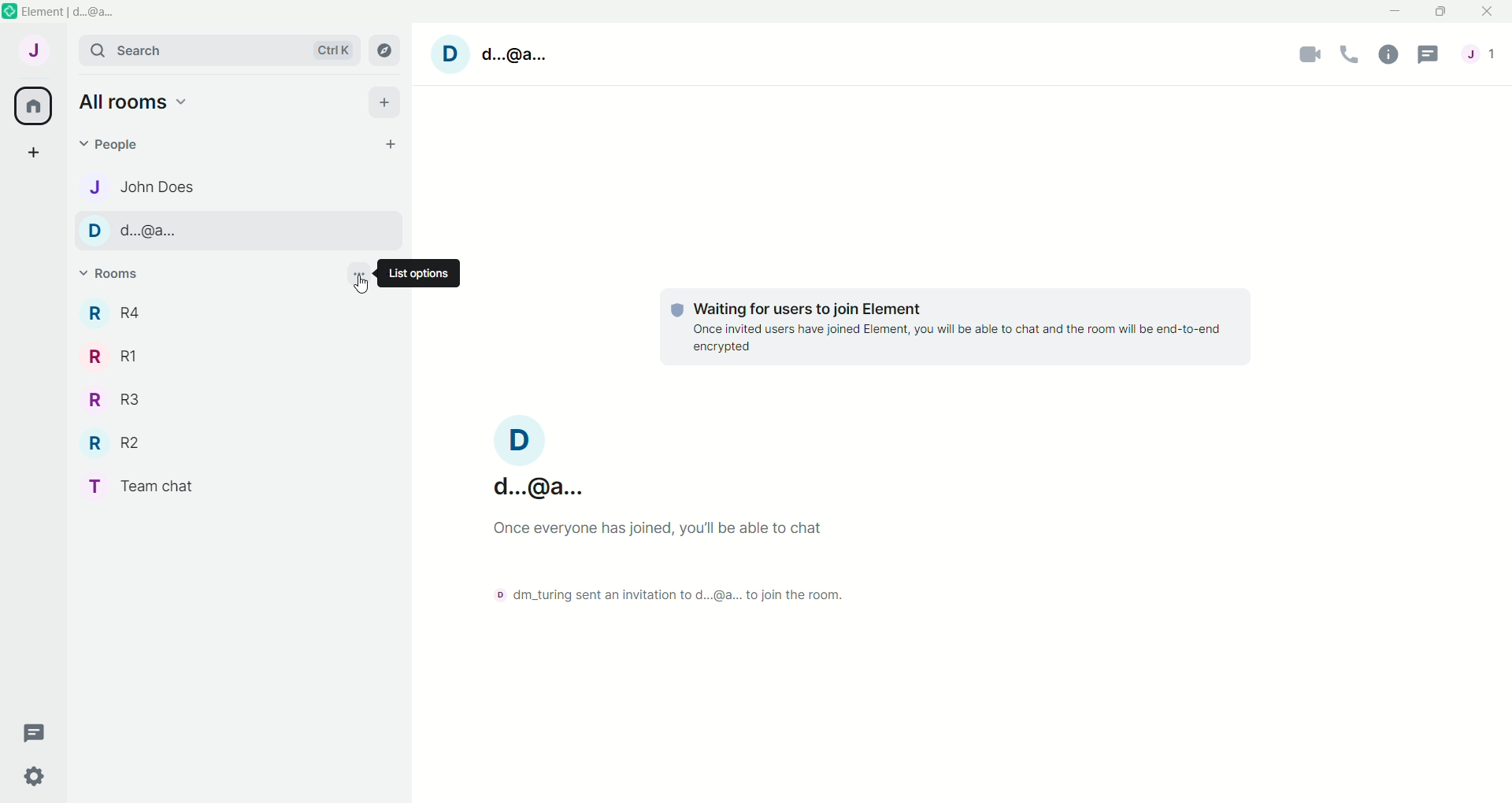 The width and height of the screenshot is (1512, 803). What do you see at coordinates (654, 527) in the screenshot?
I see `Once everyone has joined, you'll be able to chat` at bounding box center [654, 527].